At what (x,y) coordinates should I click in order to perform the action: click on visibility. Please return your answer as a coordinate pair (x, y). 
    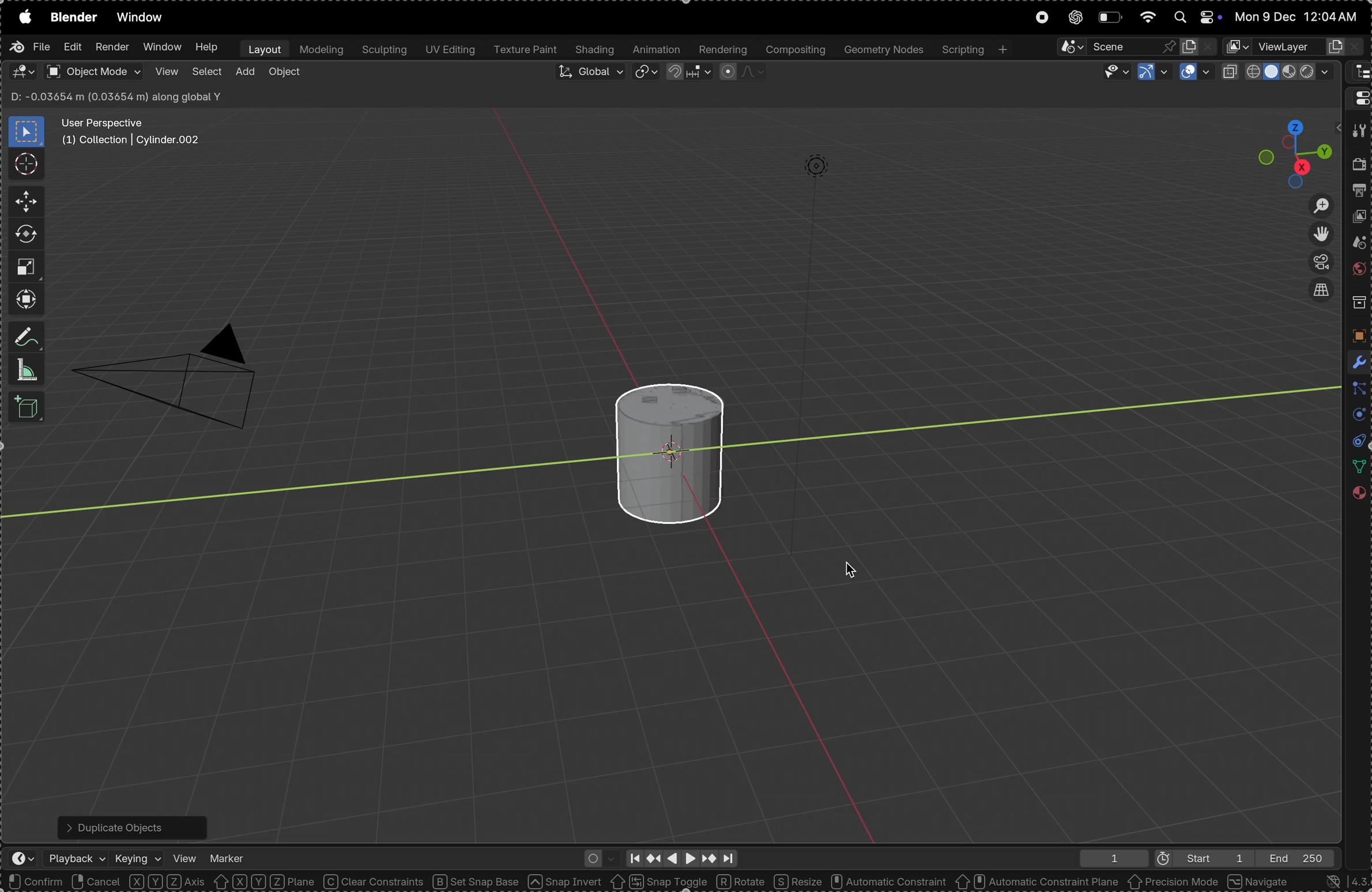
    Looking at the image, I should click on (1111, 72).